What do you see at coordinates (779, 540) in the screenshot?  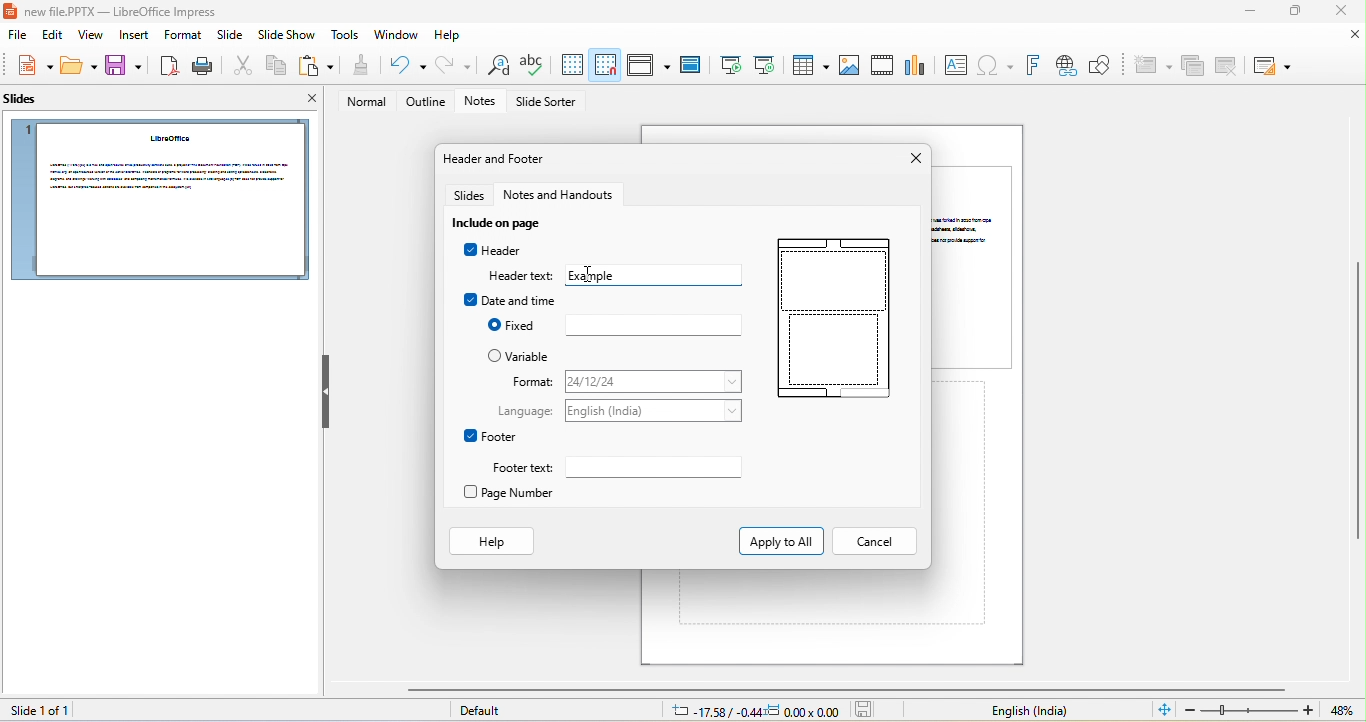 I see `Apply to All` at bounding box center [779, 540].